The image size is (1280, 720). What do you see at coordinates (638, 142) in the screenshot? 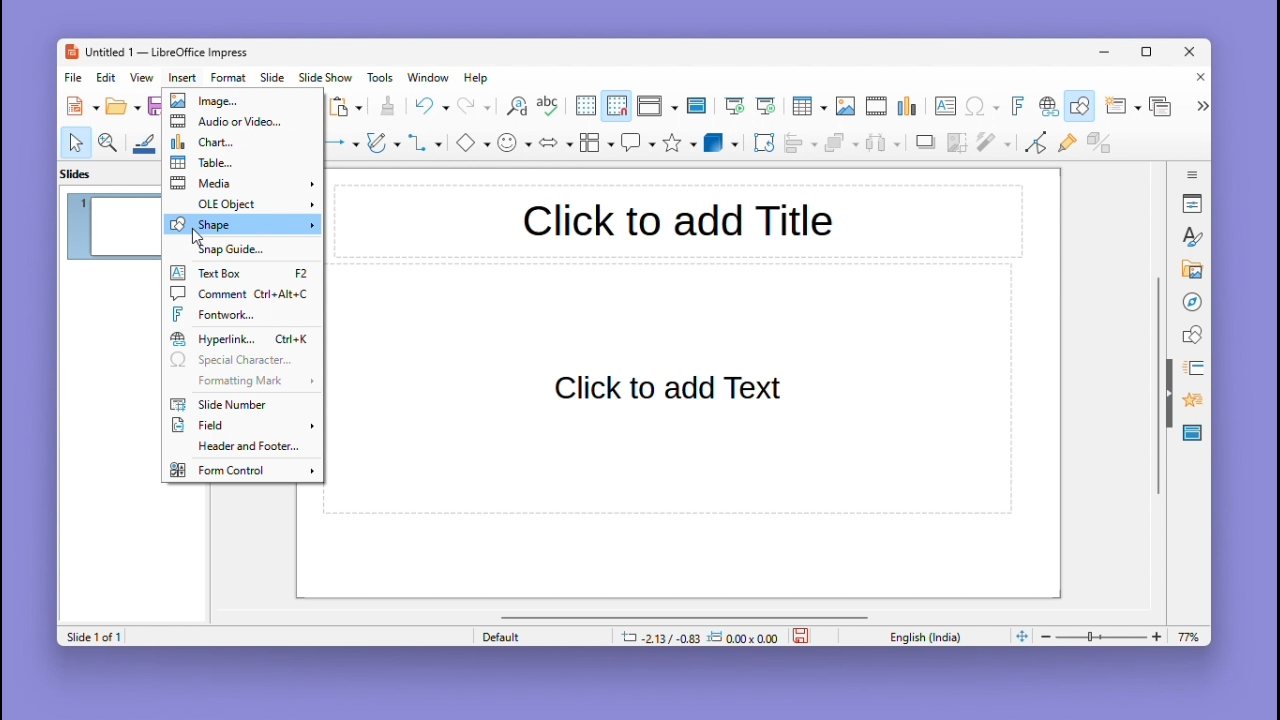
I see `Comment box` at bounding box center [638, 142].